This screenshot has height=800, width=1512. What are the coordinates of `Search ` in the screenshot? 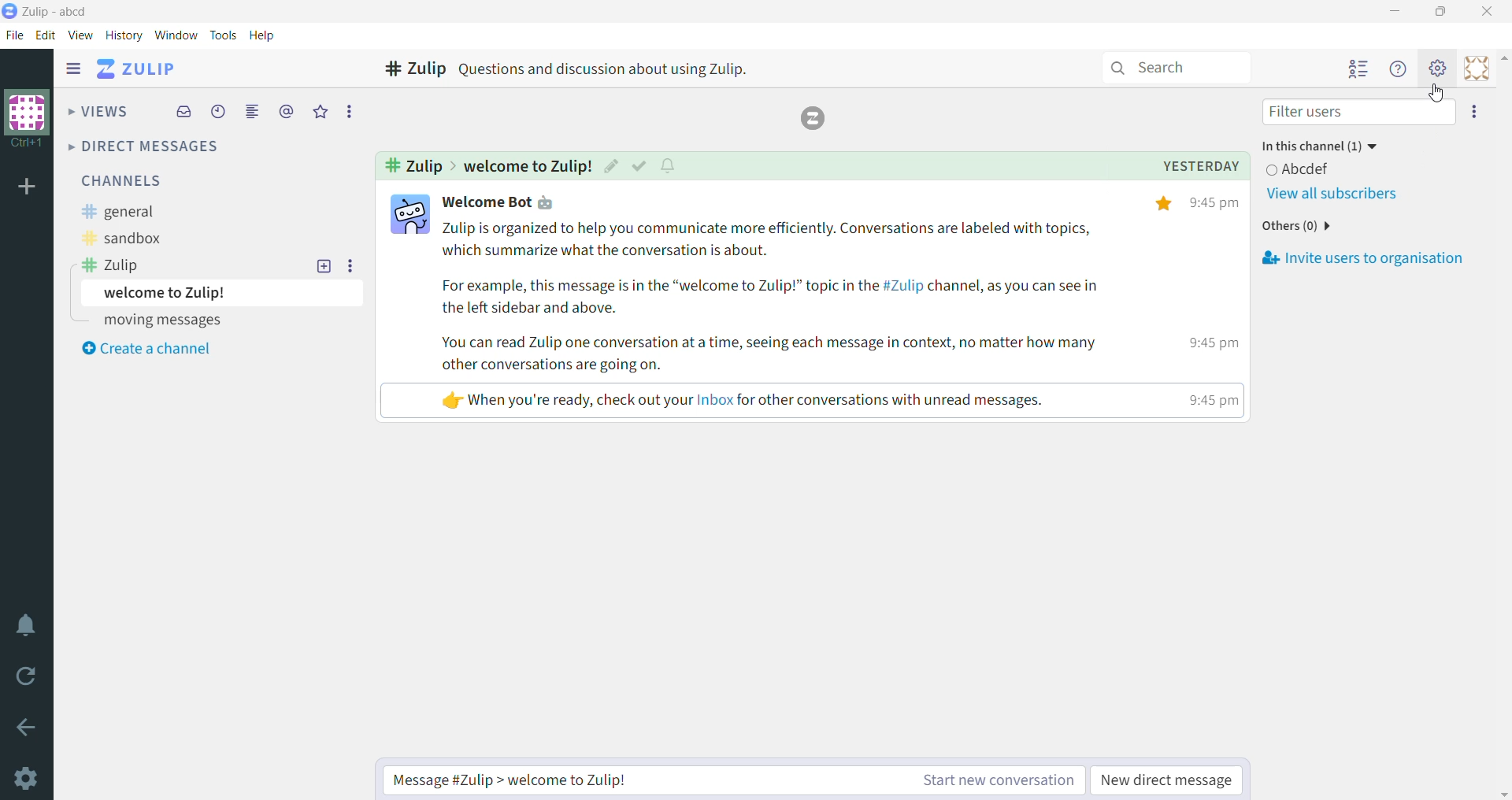 It's located at (1174, 69).